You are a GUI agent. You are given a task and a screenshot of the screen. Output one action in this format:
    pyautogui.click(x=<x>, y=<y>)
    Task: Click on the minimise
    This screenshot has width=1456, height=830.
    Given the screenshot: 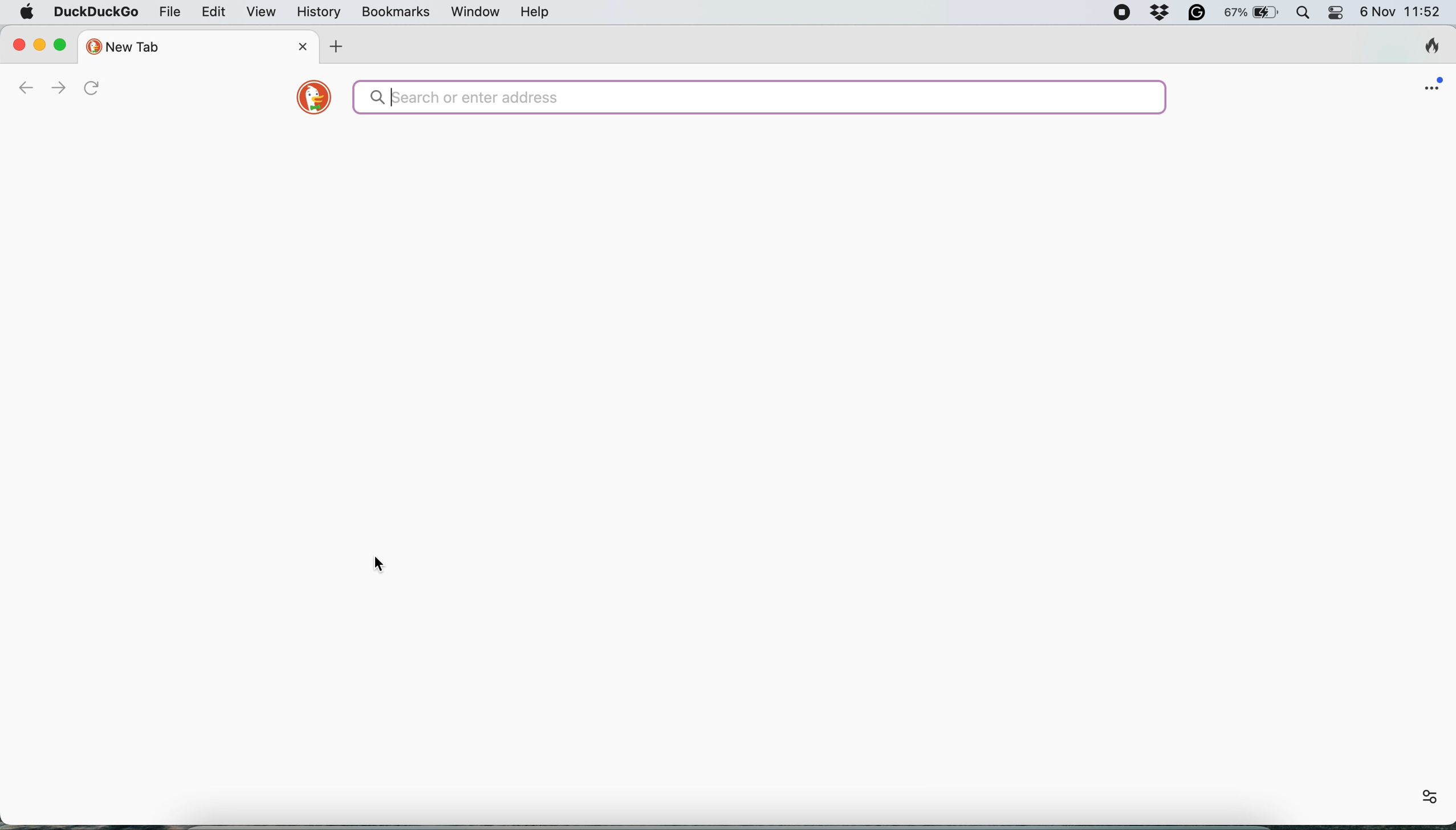 What is the action you would take?
    pyautogui.click(x=38, y=42)
    